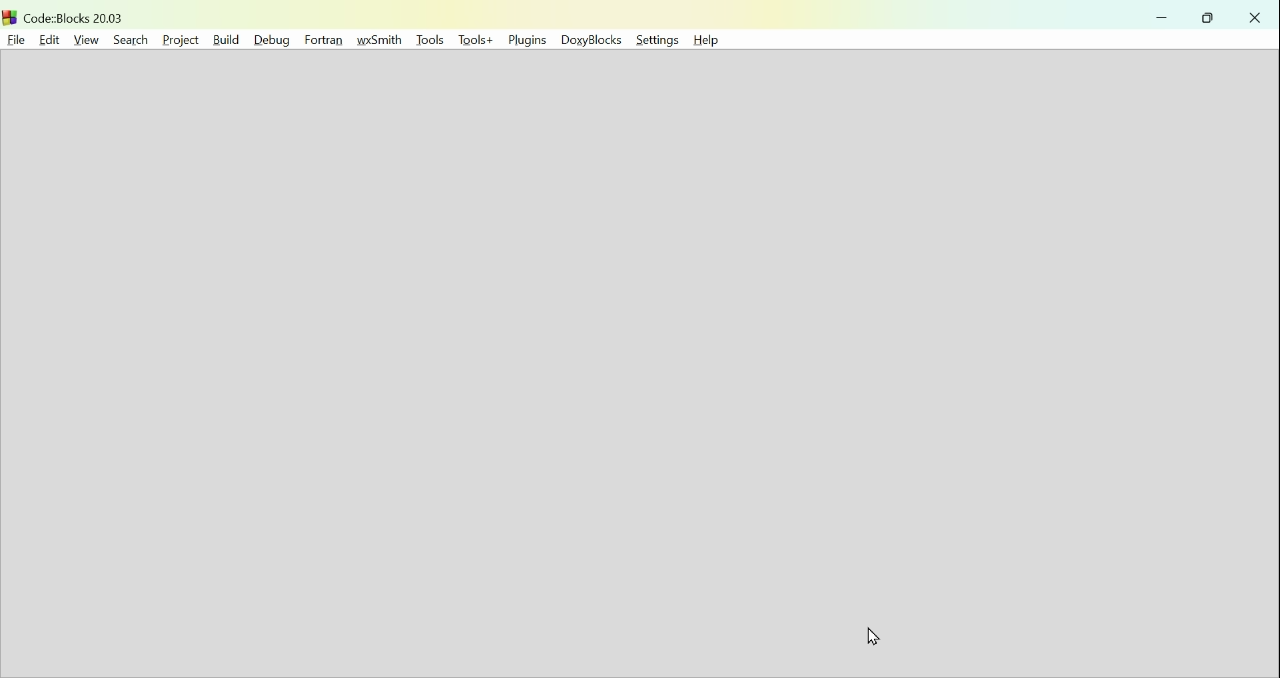  What do you see at coordinates (1210, 18) in the screenshot?
I see `Restore` at bounding box center [1210, 18].